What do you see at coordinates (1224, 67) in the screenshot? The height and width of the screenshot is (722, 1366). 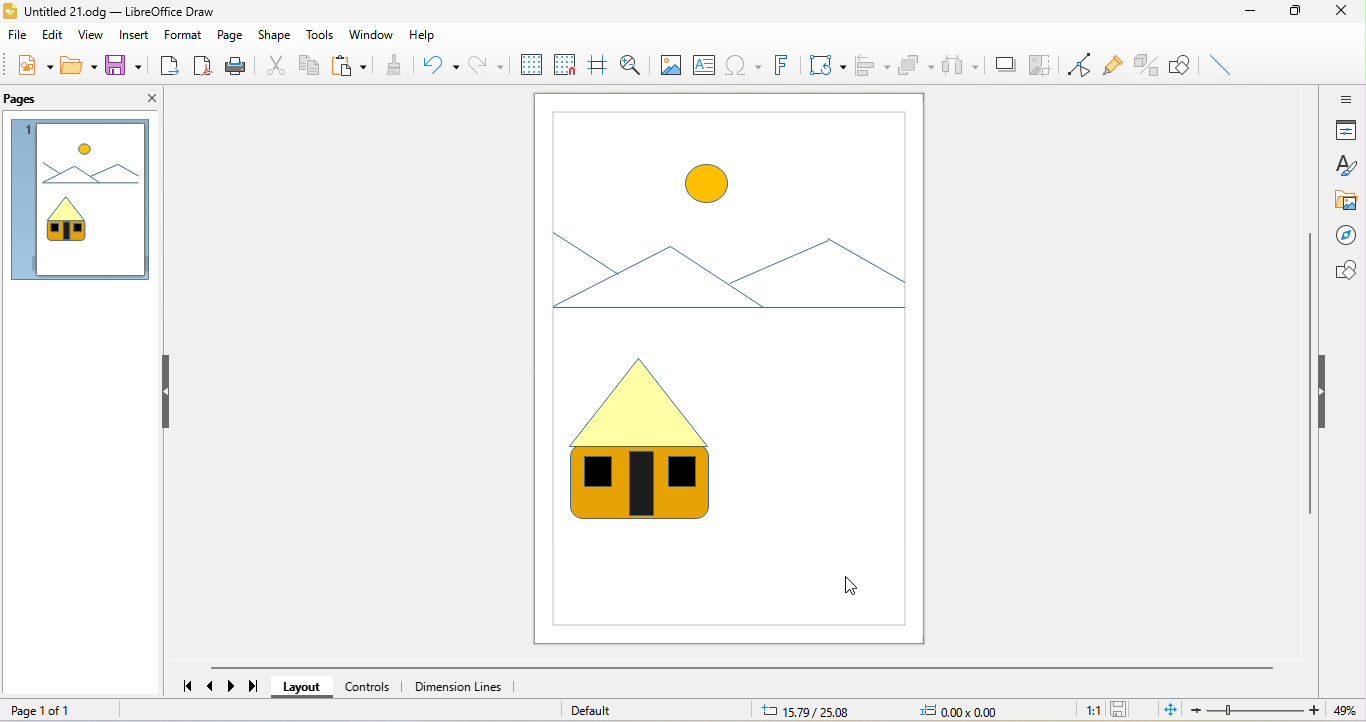 I see `line tool` at bounding box center [1224, 67].